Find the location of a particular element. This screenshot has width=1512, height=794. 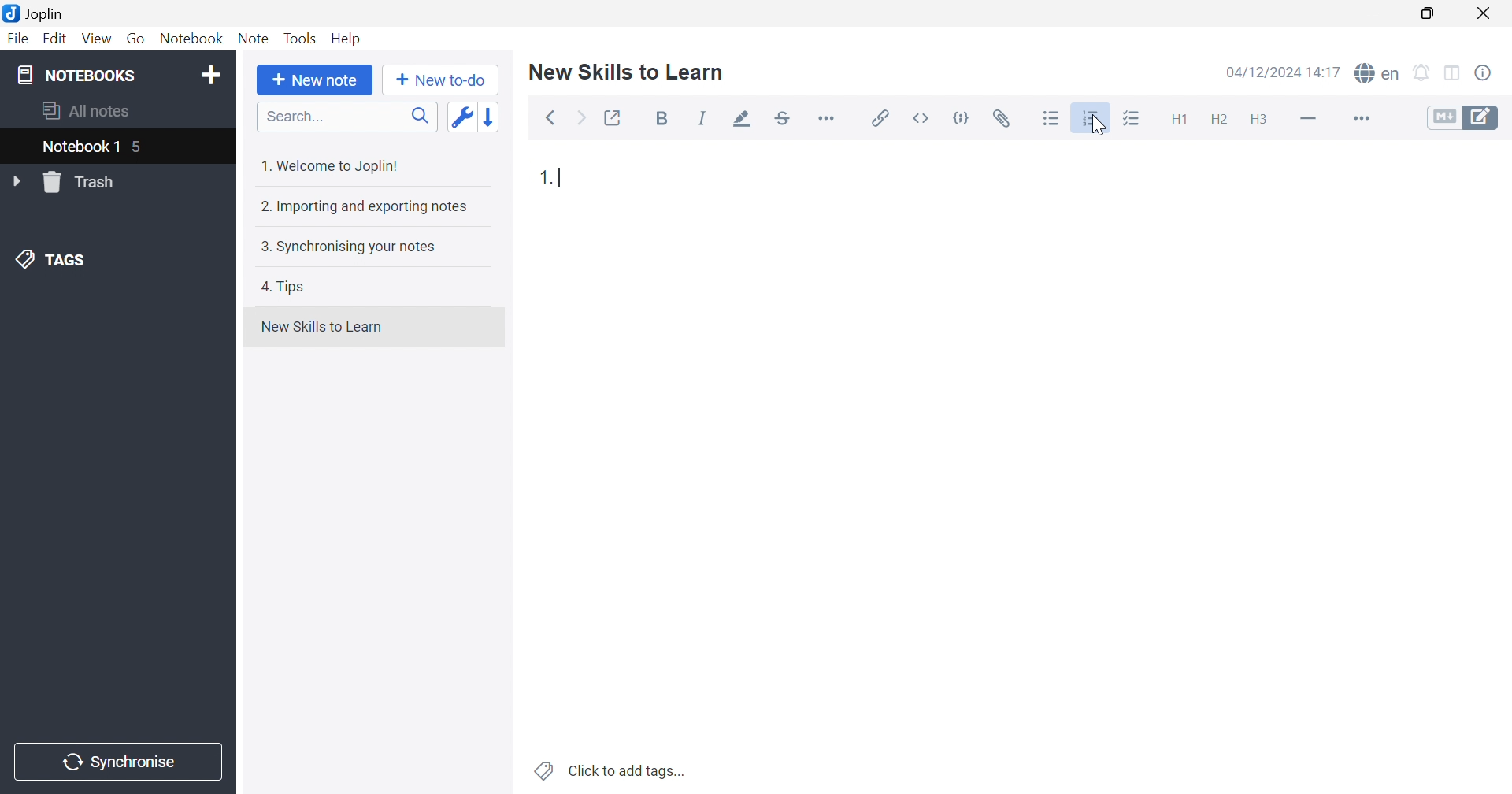

Edit is located at coordinates (53, 39).